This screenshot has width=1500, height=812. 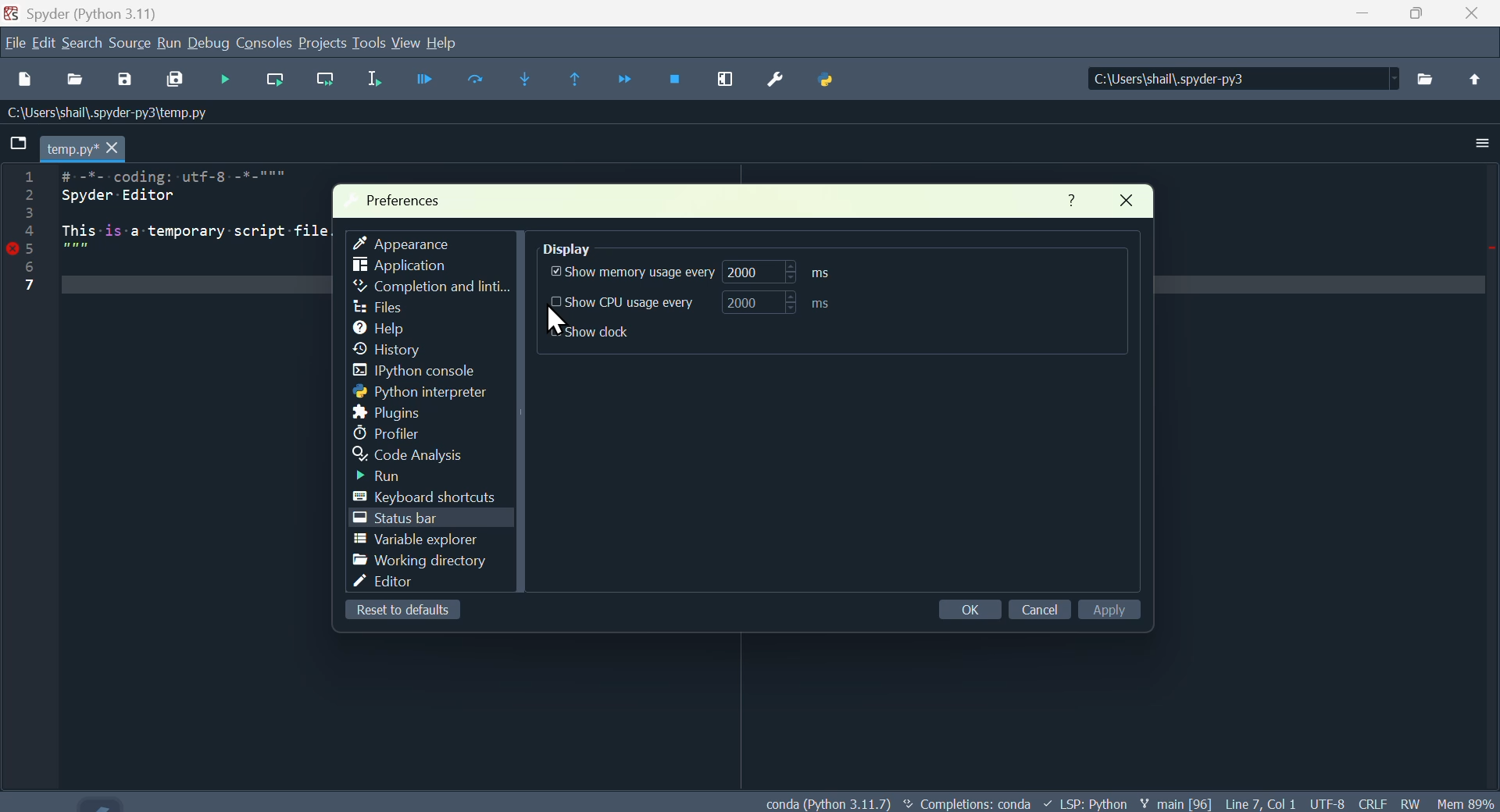 What do you see at coordinates (430, 287) in the screenshot?
I see `Completion and` at bounding box center [430, 287].